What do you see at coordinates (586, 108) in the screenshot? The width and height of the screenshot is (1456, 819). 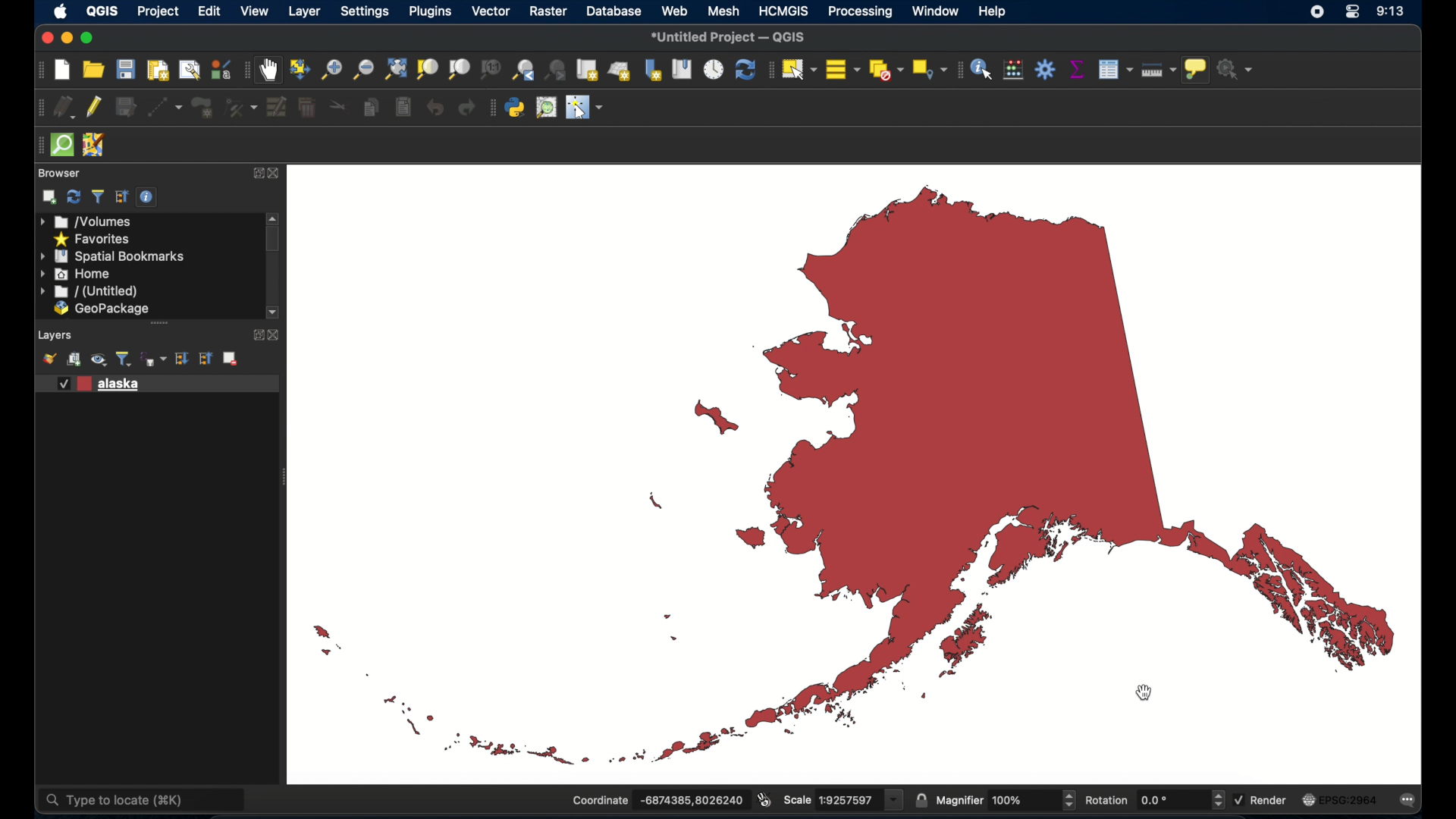 I see `switches mouse to a configurable pointer` at bounding box center [586, 108].